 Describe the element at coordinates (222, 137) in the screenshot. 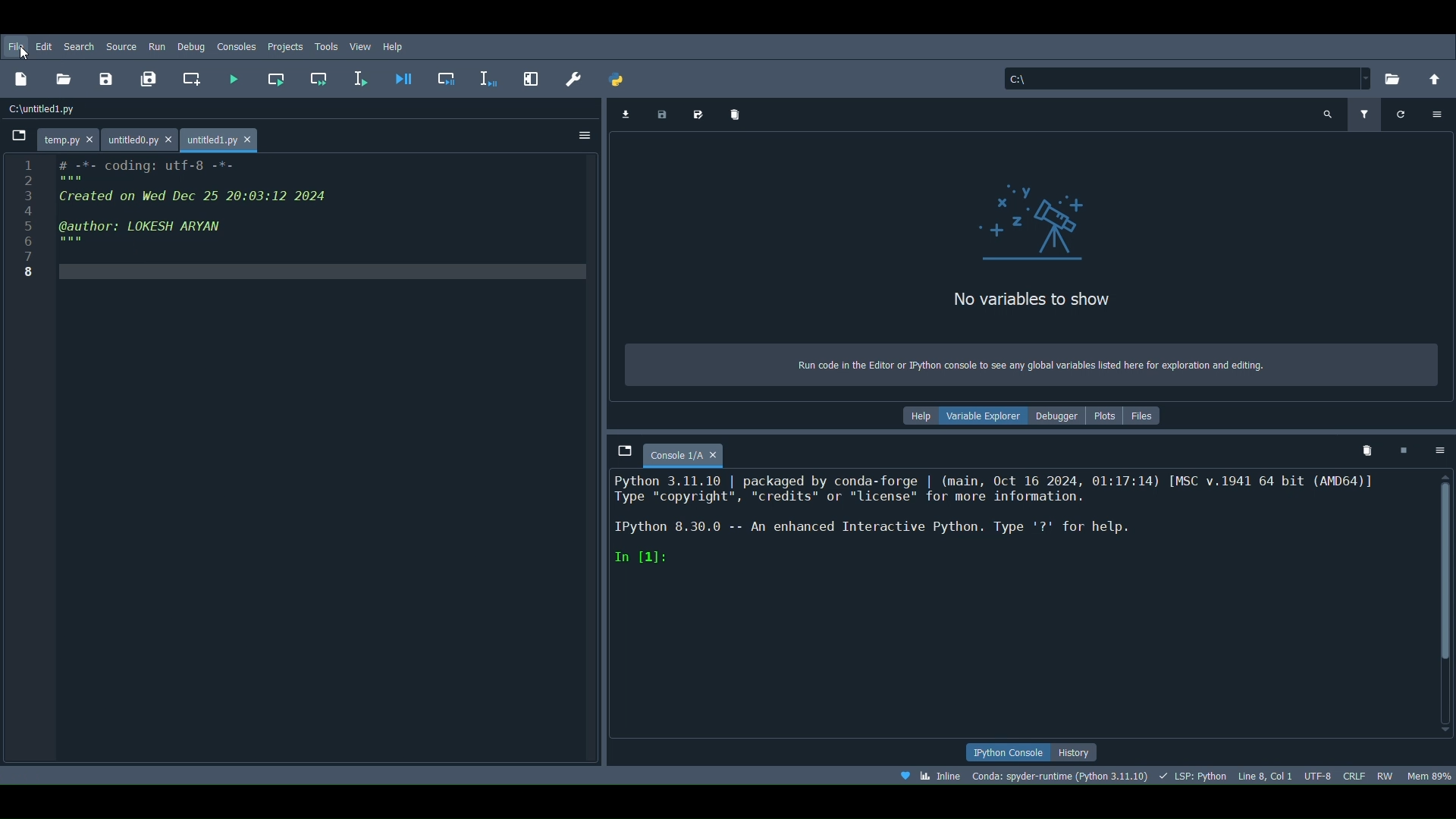

I see `untitled1.py` at that location.